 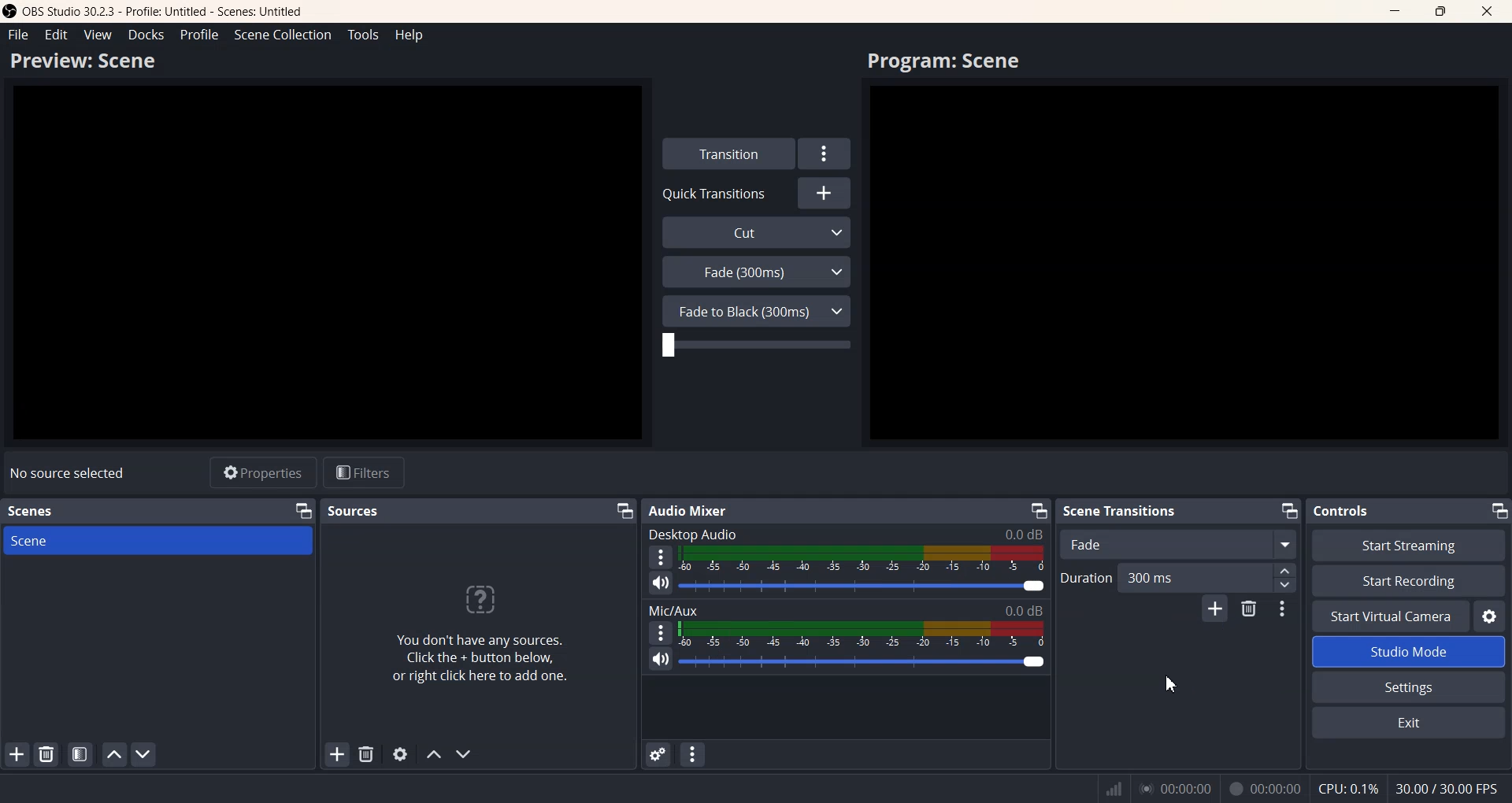 What do you see at coordinates (754, 272) in the screenshot?
I see `Fade` at bounding box center [754, 272].